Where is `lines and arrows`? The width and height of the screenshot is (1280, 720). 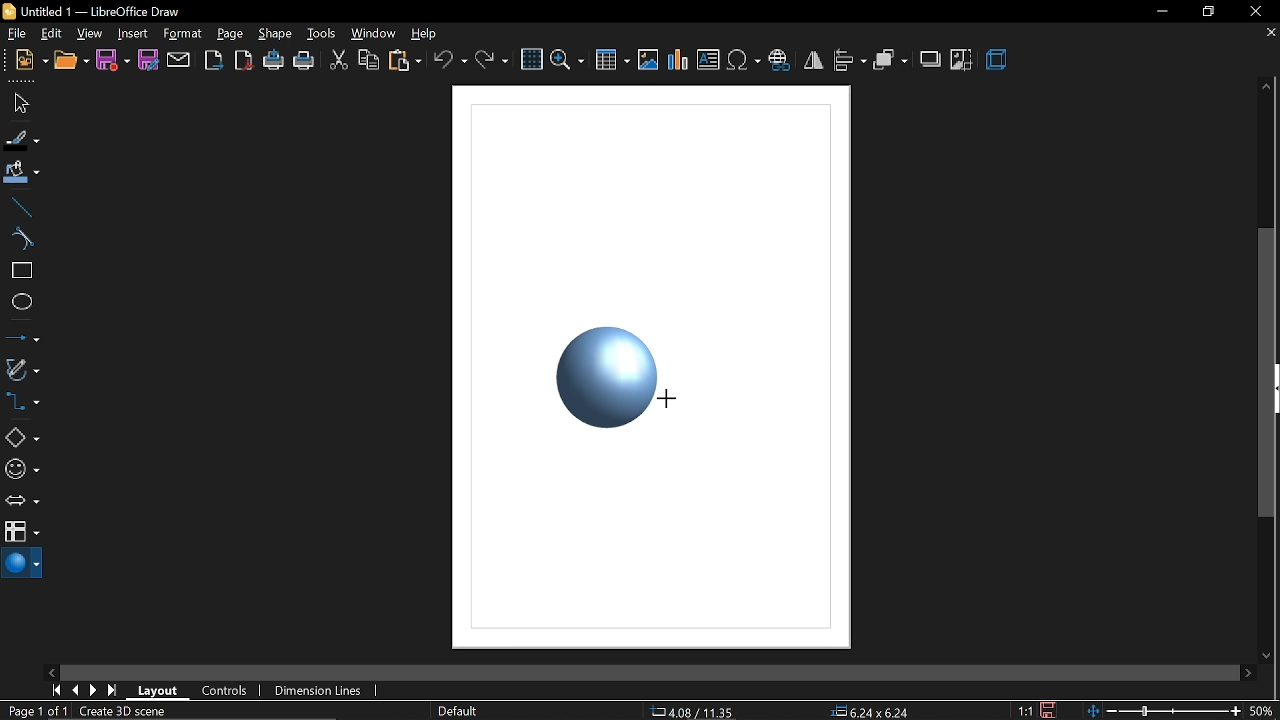
lines and arrows is located at coordinates (21, 335).